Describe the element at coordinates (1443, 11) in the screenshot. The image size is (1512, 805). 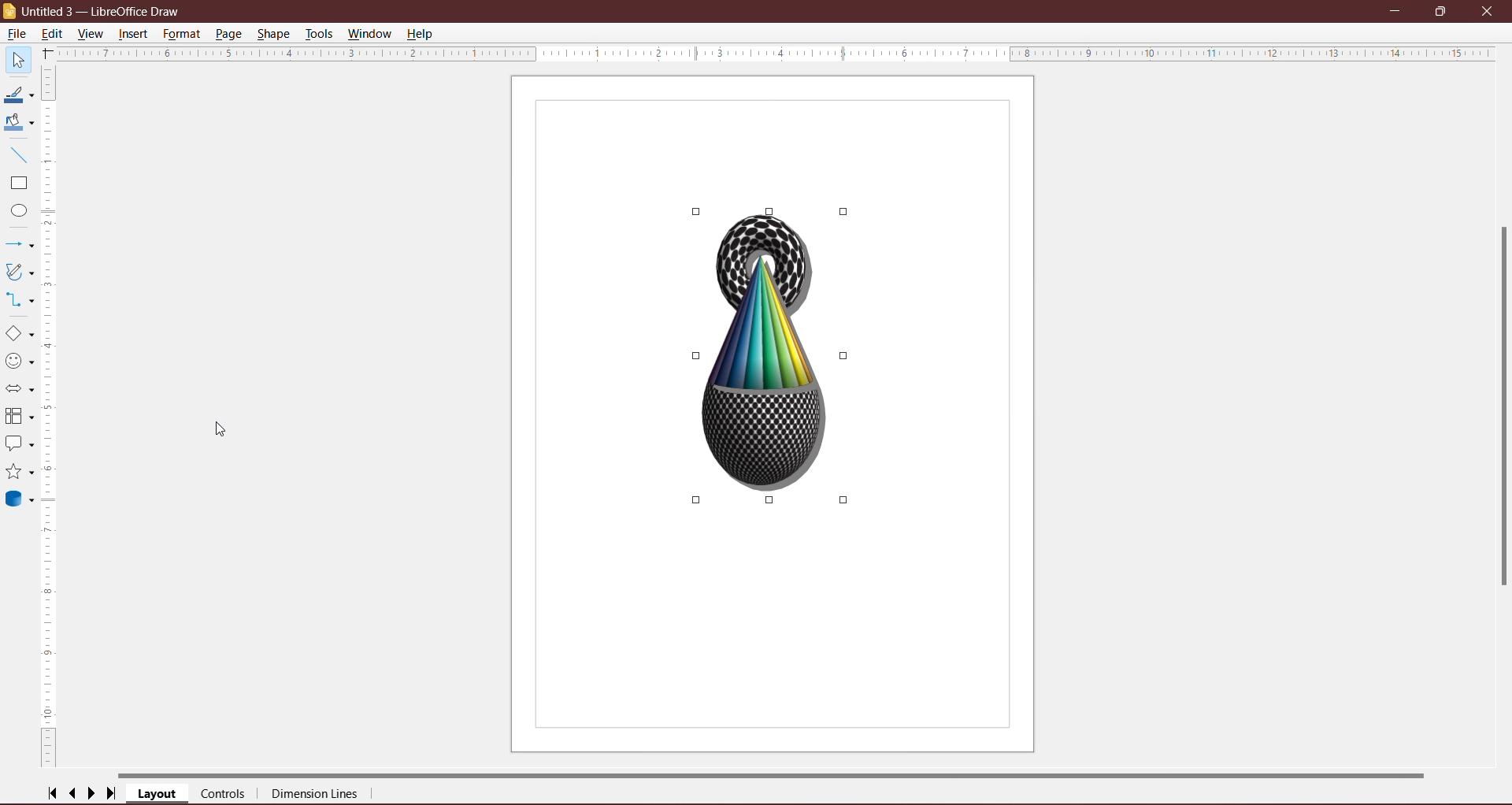
I see `Restore Down` at that location.